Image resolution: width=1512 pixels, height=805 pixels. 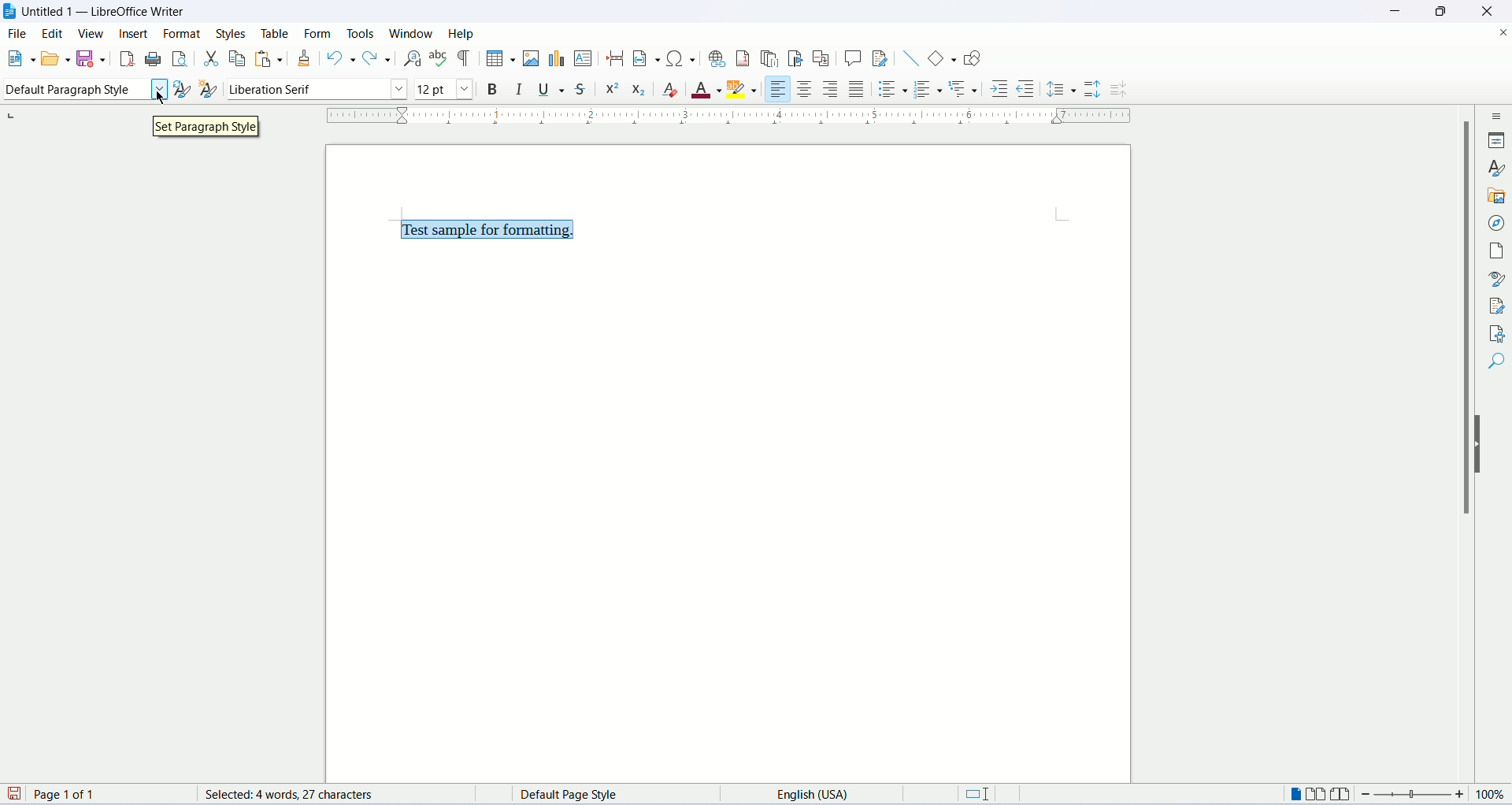 What do you see at coordinates (443, 89) in the screenshot?
I see `font size` at bounding box center [443, 89].